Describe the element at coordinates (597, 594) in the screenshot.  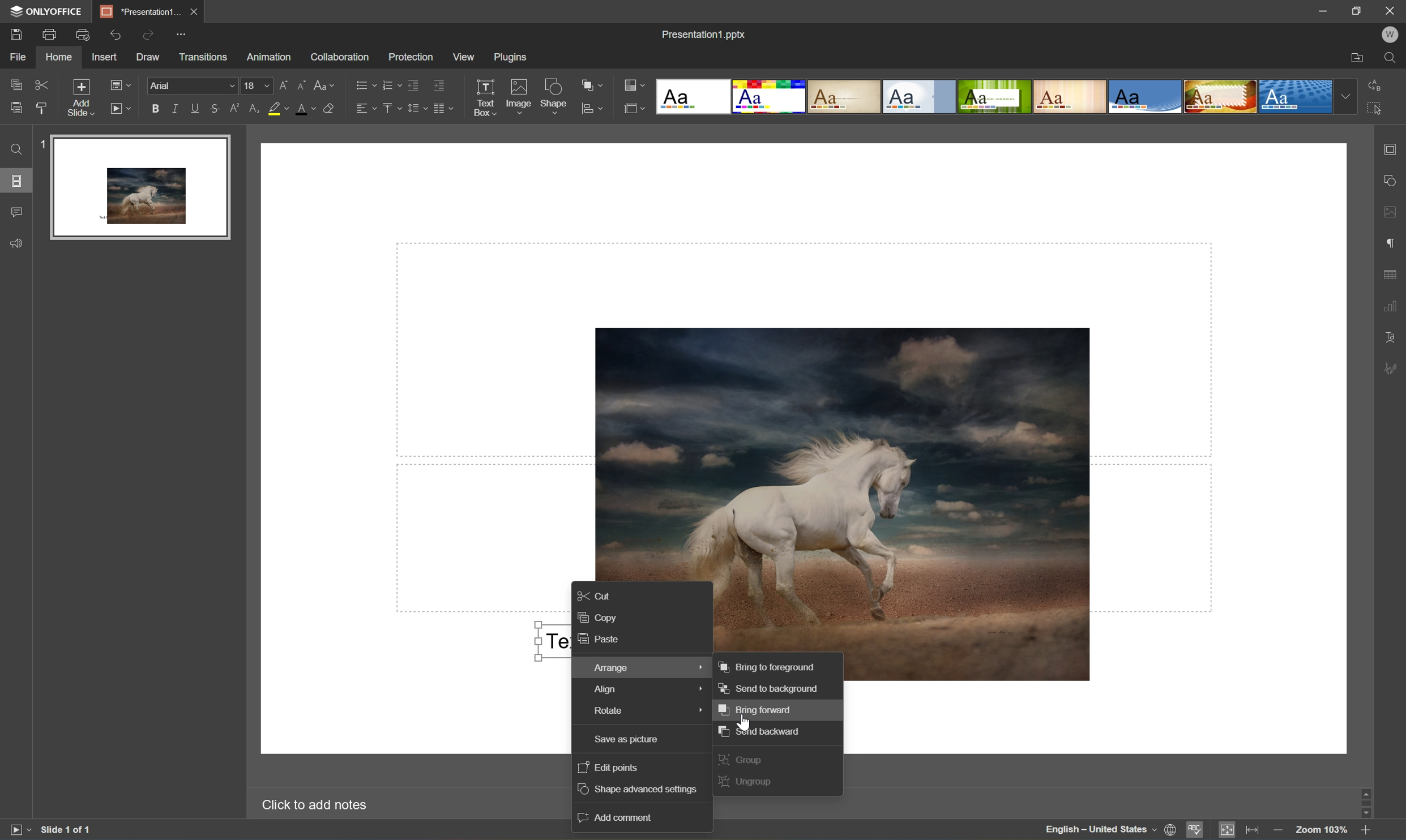
I see `Cut` at that location.